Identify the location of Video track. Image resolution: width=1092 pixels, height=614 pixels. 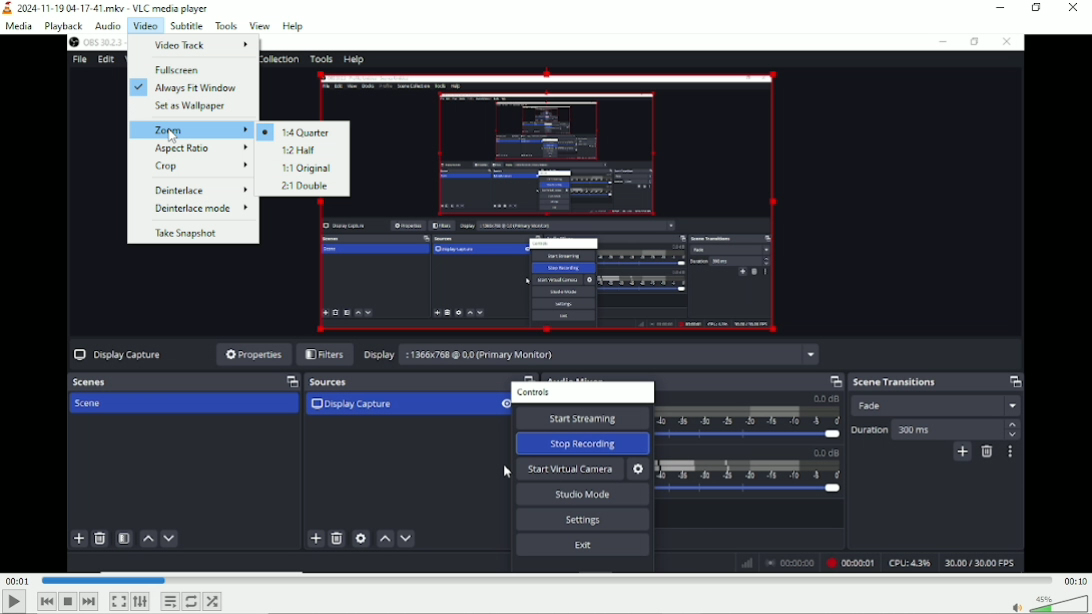
(203, 44).